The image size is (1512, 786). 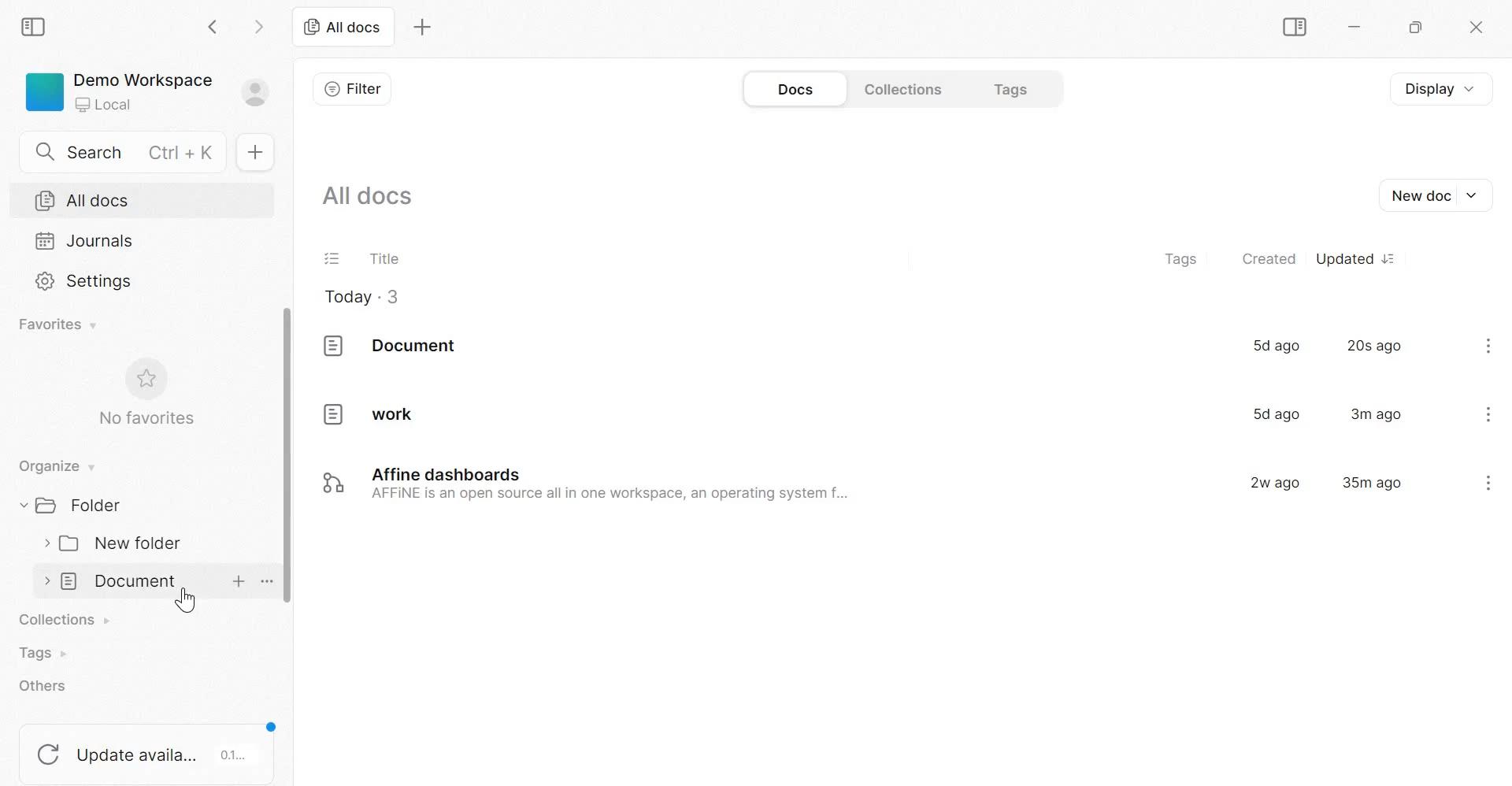 What do you see at coordinates (332, 257) in the screenshot?
I see `Task list` at bounding box center [332, 257].